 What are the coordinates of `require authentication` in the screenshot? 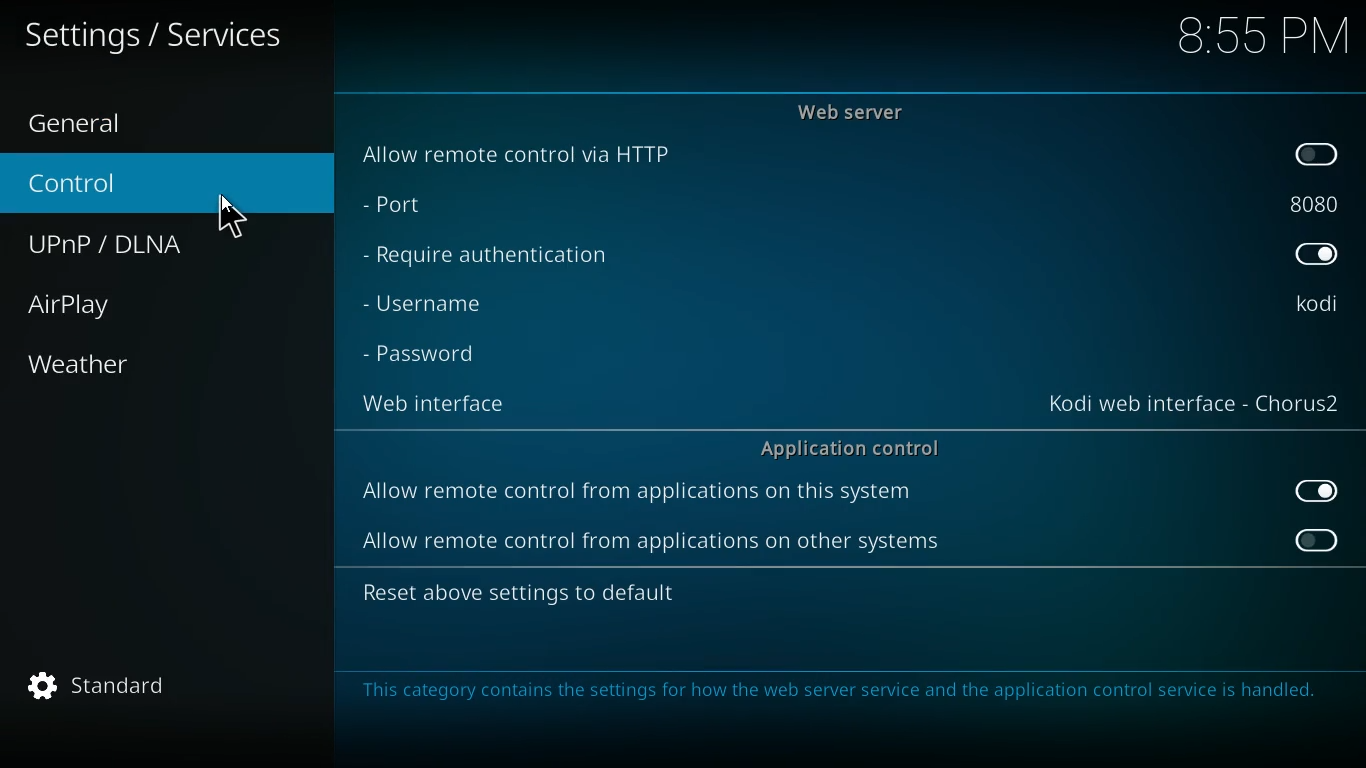 It's located at (502, 256).